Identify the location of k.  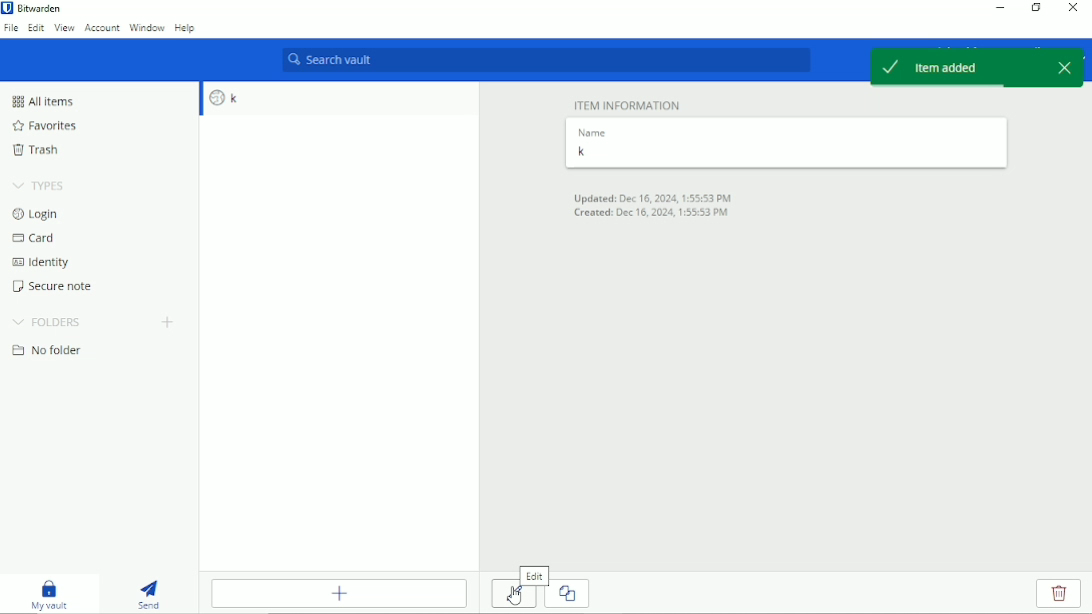
(339, 99).